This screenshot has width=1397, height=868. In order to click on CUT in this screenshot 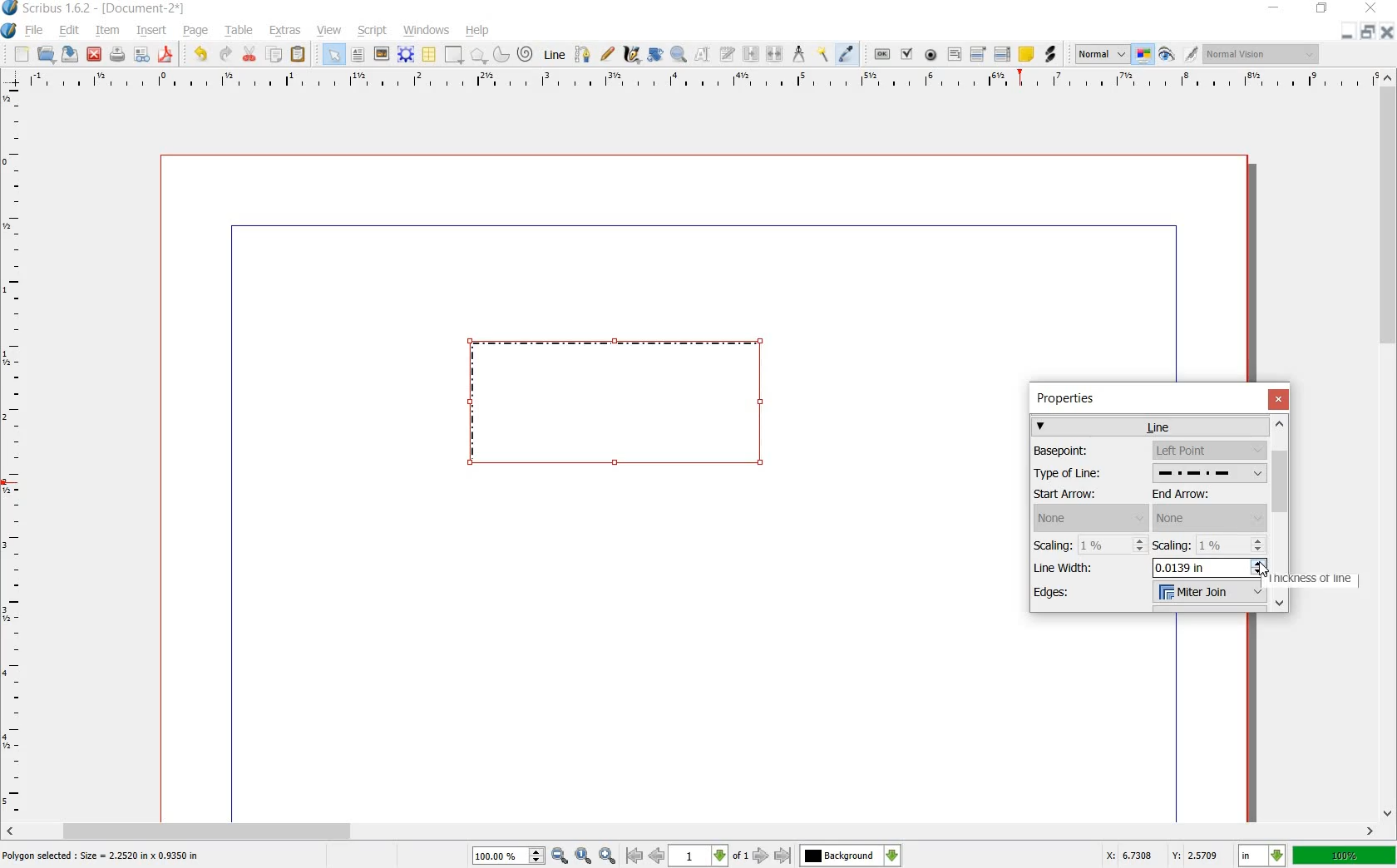, I will do `click(250, 54)`.